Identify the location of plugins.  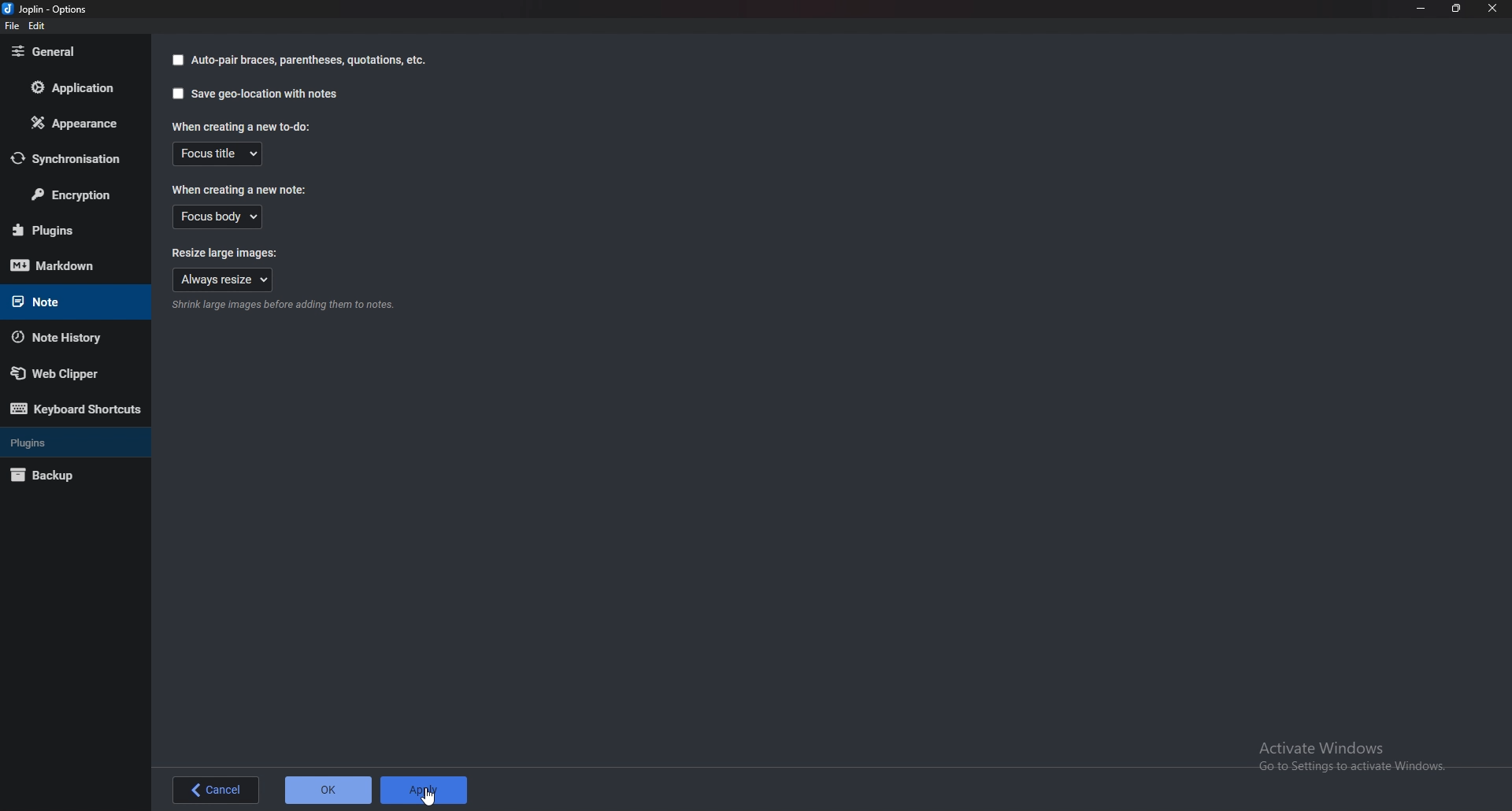
(65, 443).